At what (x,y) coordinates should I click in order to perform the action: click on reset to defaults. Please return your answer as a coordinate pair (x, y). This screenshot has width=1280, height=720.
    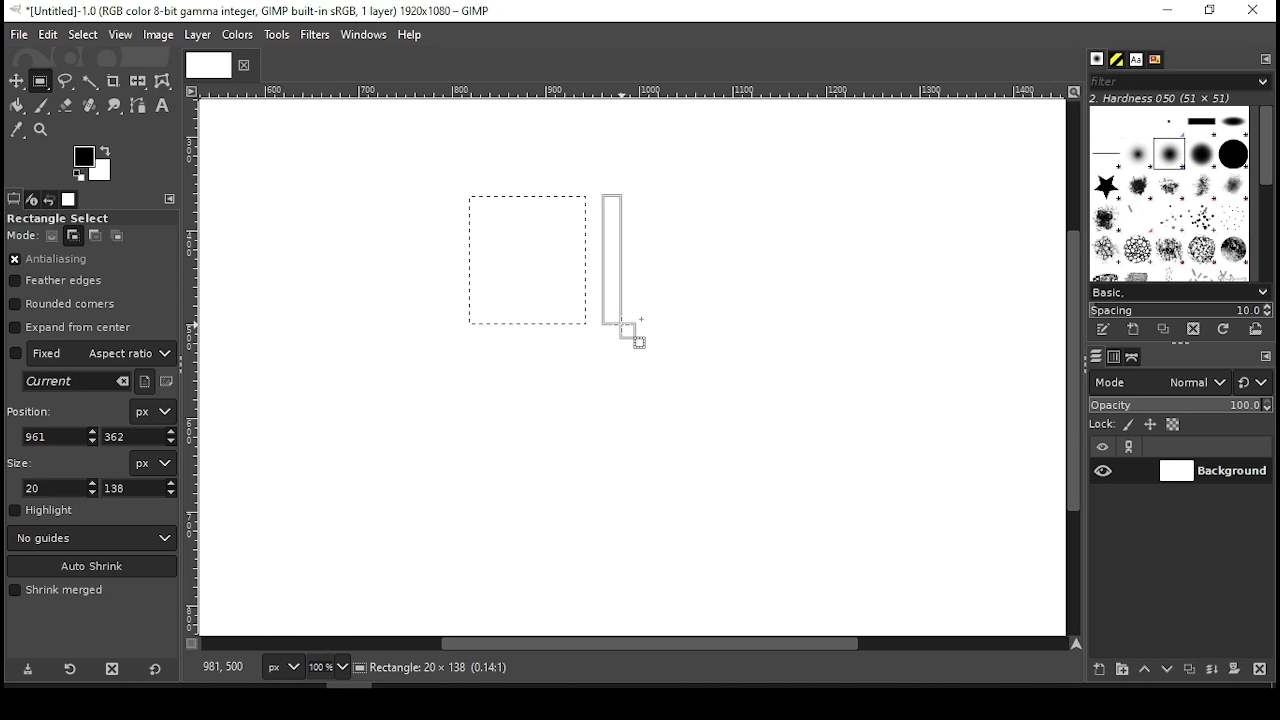
    Looking at the image, I should click on (156, 670).